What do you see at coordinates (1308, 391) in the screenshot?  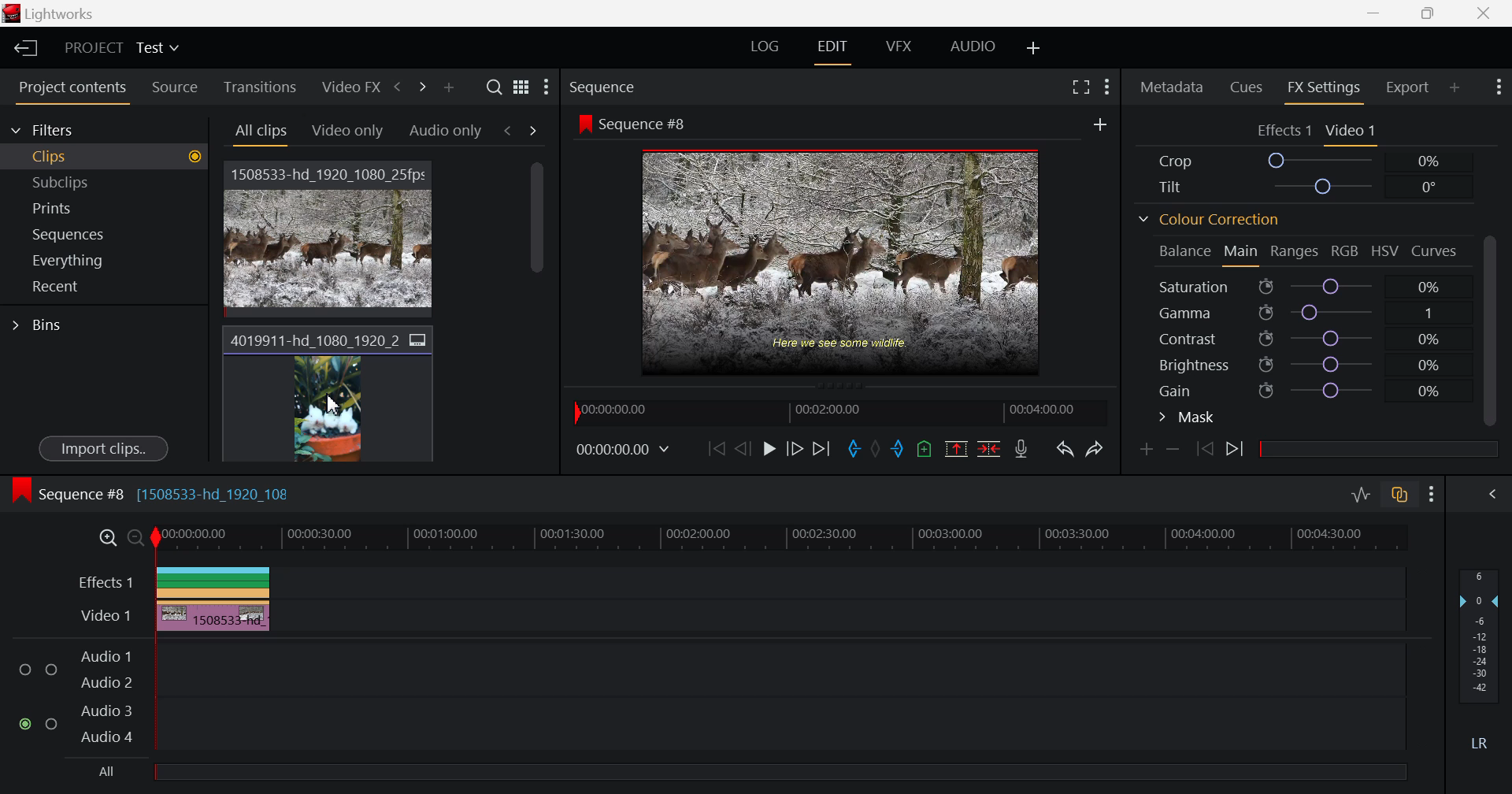 I see `Gain` at bounding box center [1308, 391].